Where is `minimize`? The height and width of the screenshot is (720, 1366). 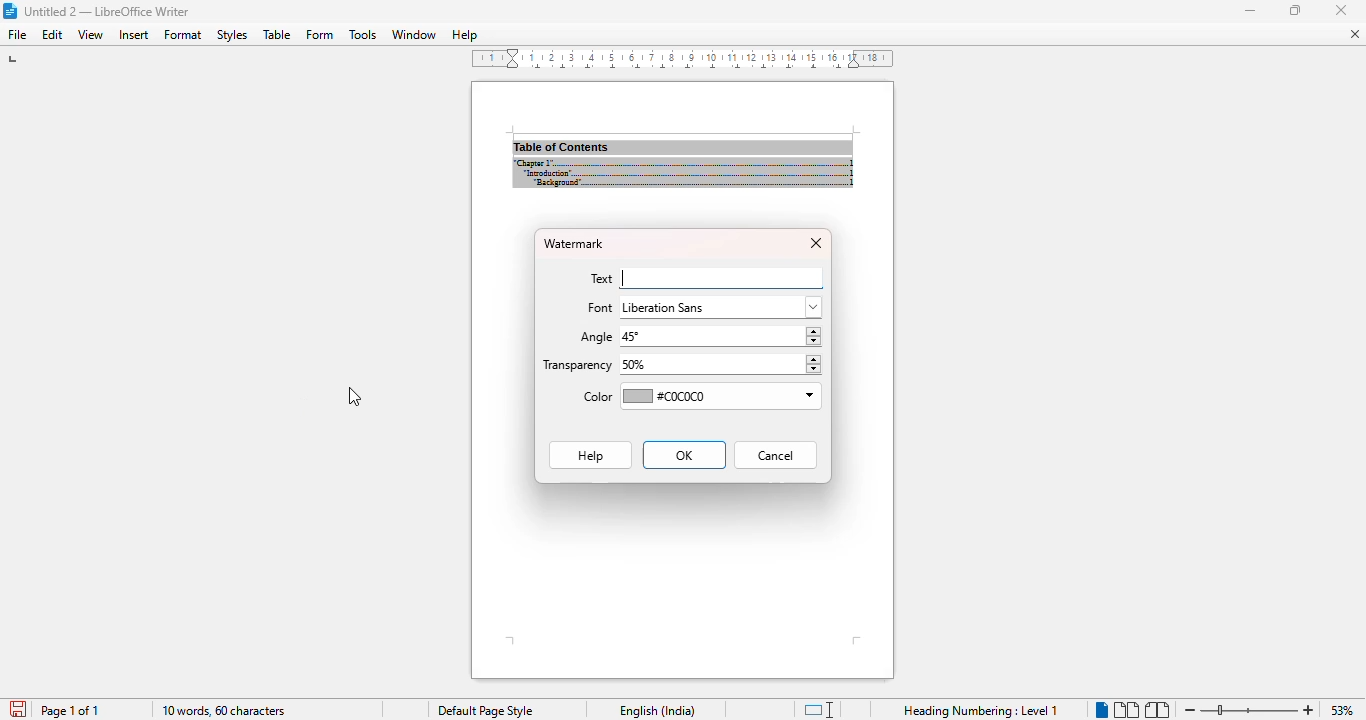 minimize is located at coordinates (1341, 10).